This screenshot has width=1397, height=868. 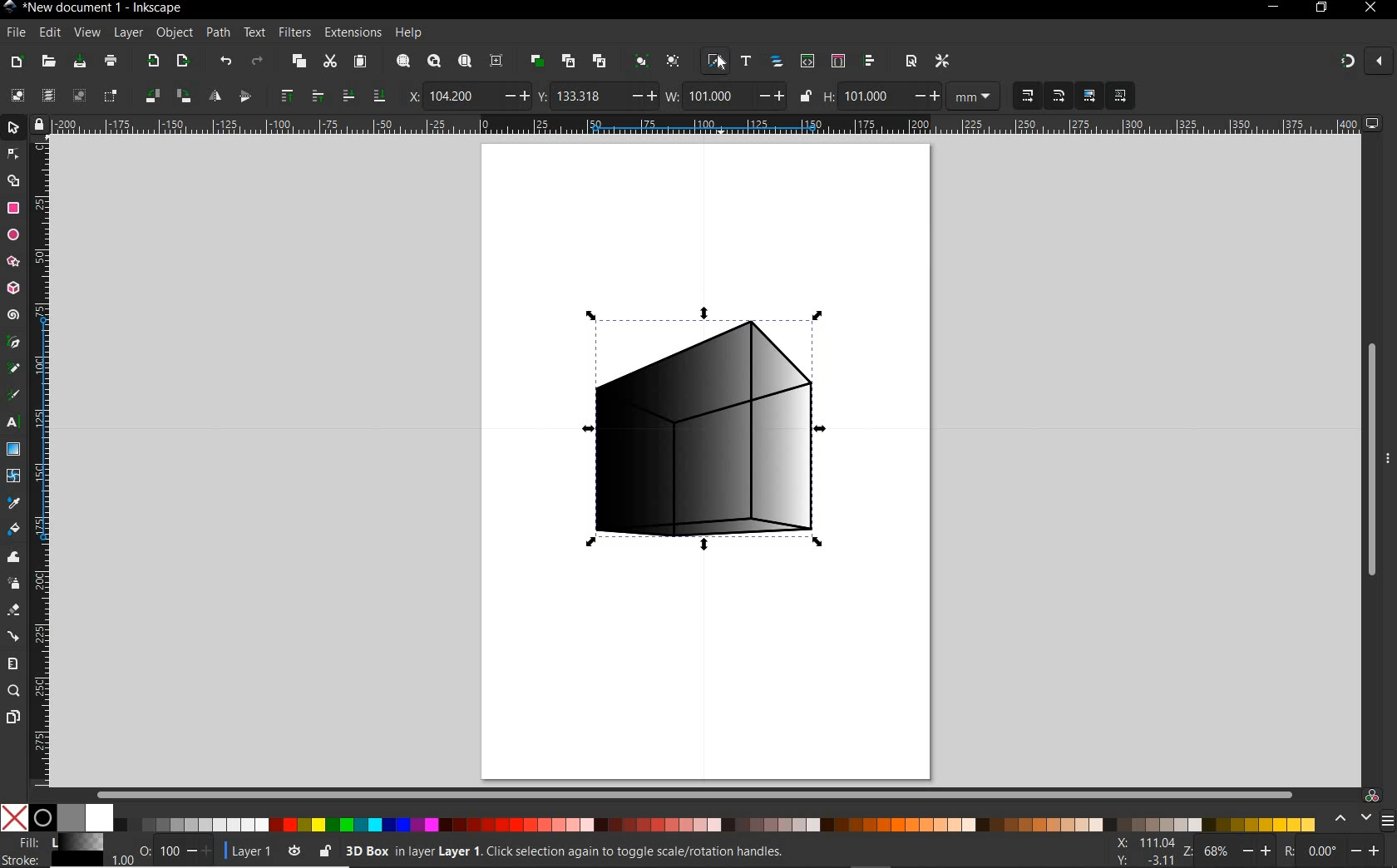 I want to click on OPEN EXPORT, so click(x=183, y=62).